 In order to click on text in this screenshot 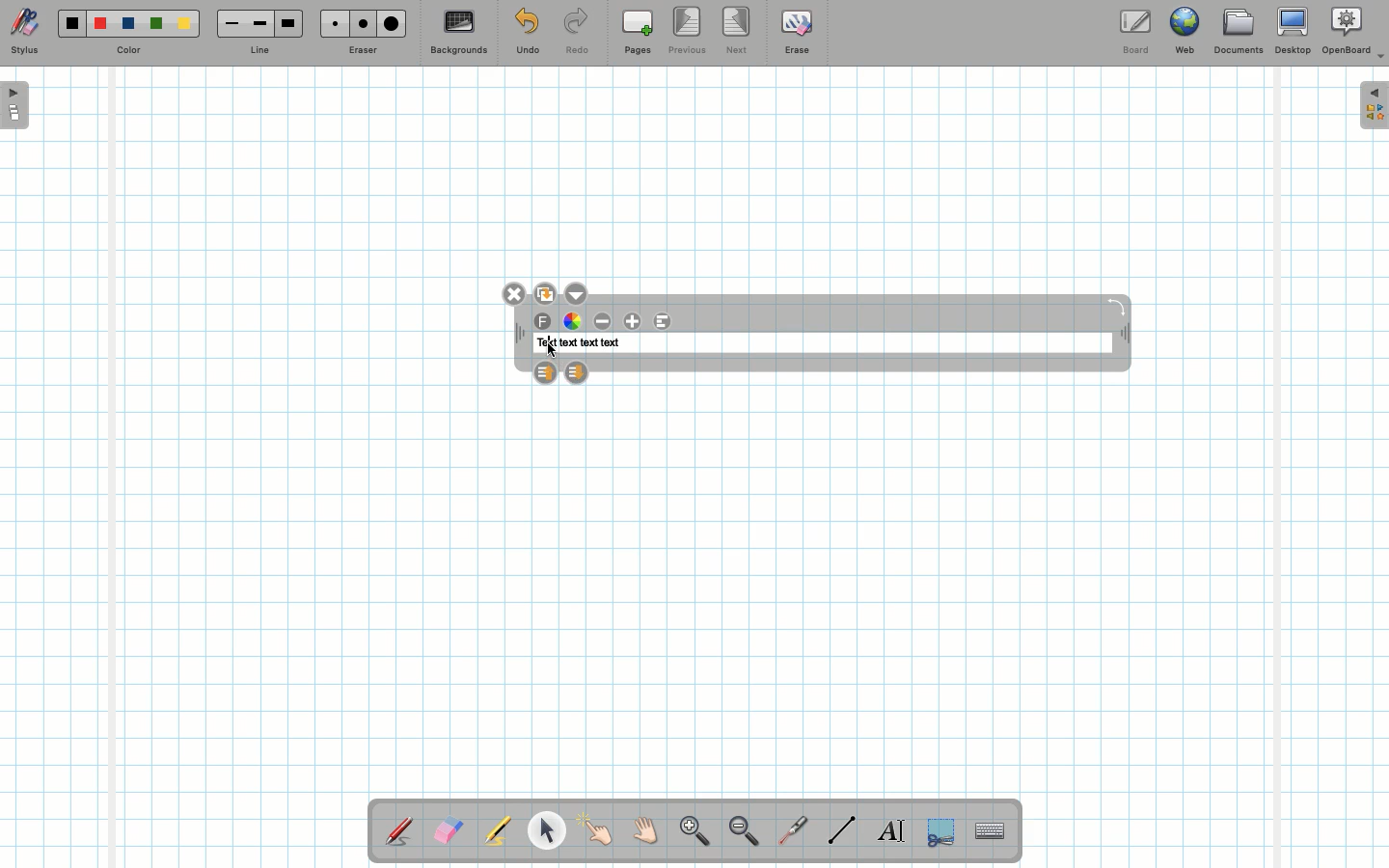, I will do `click(589, 343)`.